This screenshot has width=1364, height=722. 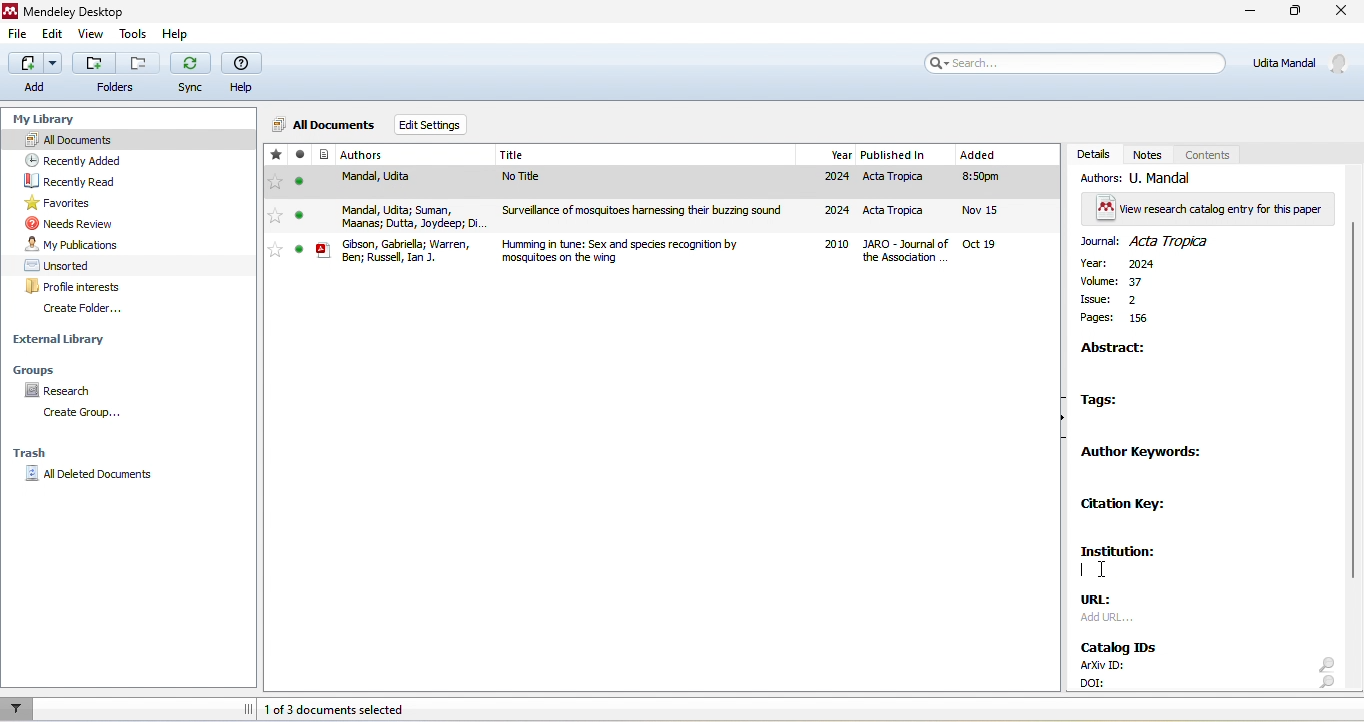 I want to click on tags, so click(x=1112, y=401).